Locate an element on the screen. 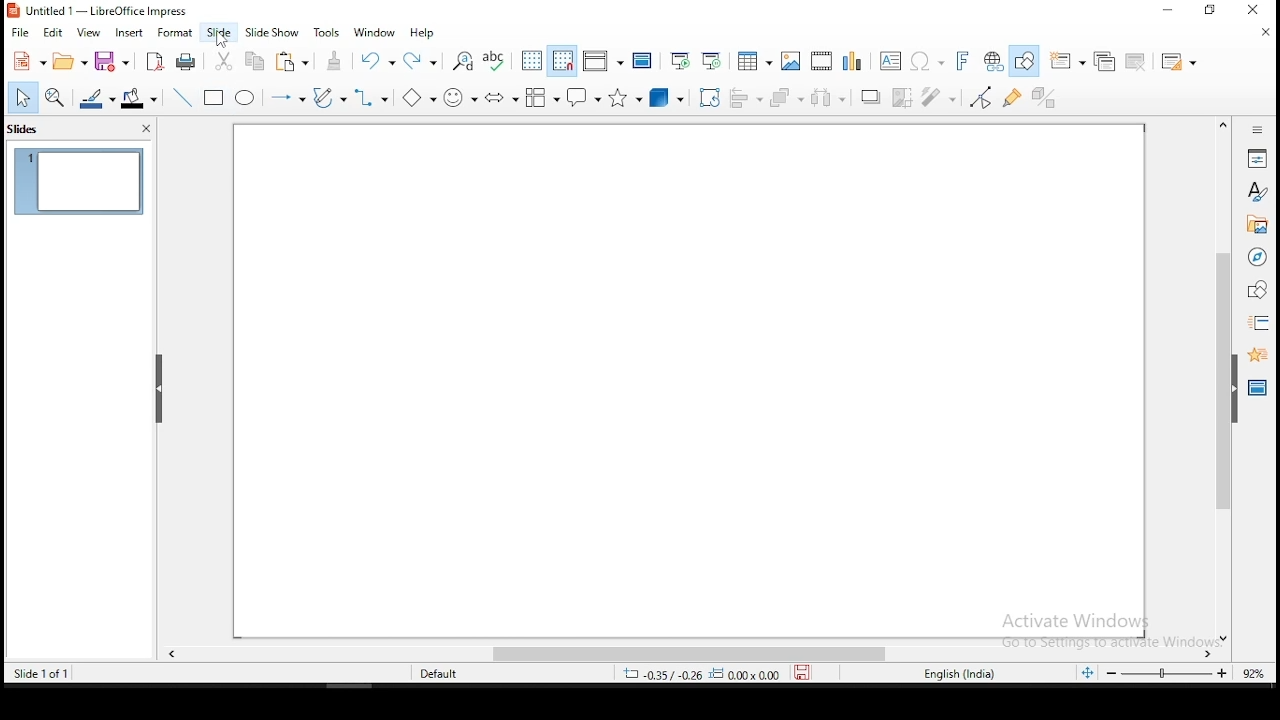 Image resolution: width=1280 pixels, height=720 pixels. zoom and pan is located at coordinates (59, 99).